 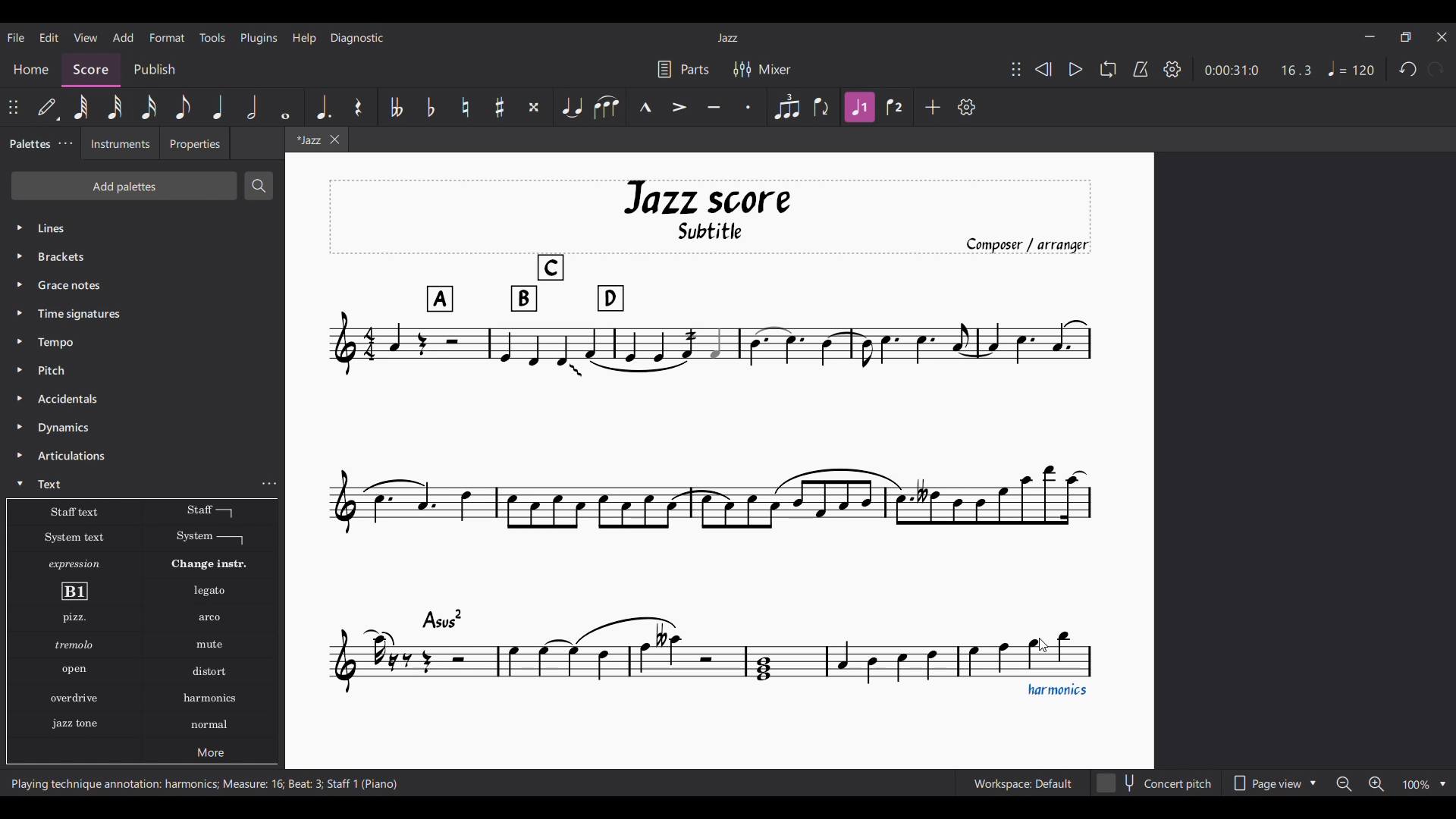 What do you see at coordinates (73, 645) in the screenshot?
I see `` at bounding box center [73, 645].